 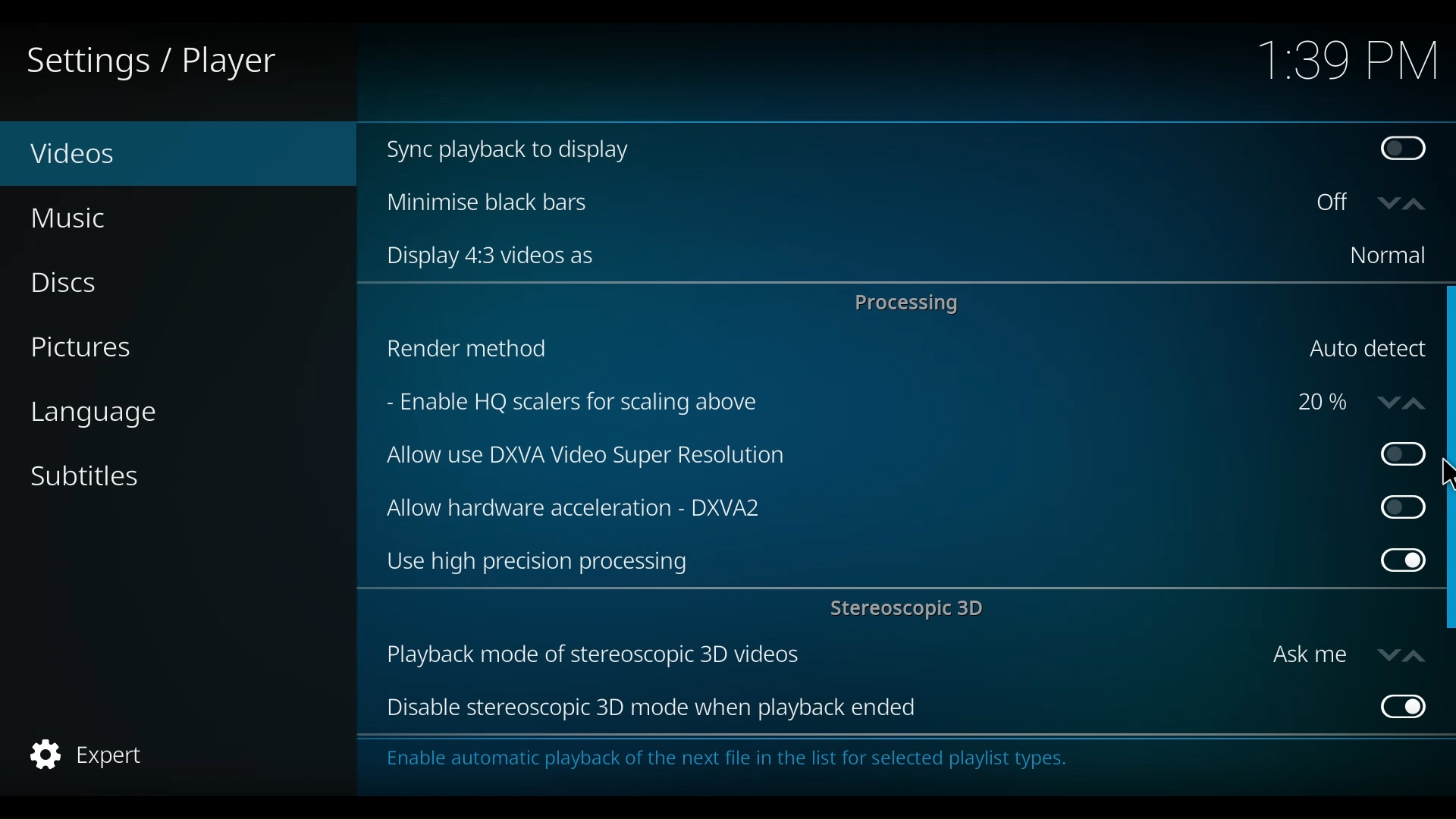 What do you see at coordinates (106, 155) in the screenshot?
I see `Videos` at bounding box center [106, 155].